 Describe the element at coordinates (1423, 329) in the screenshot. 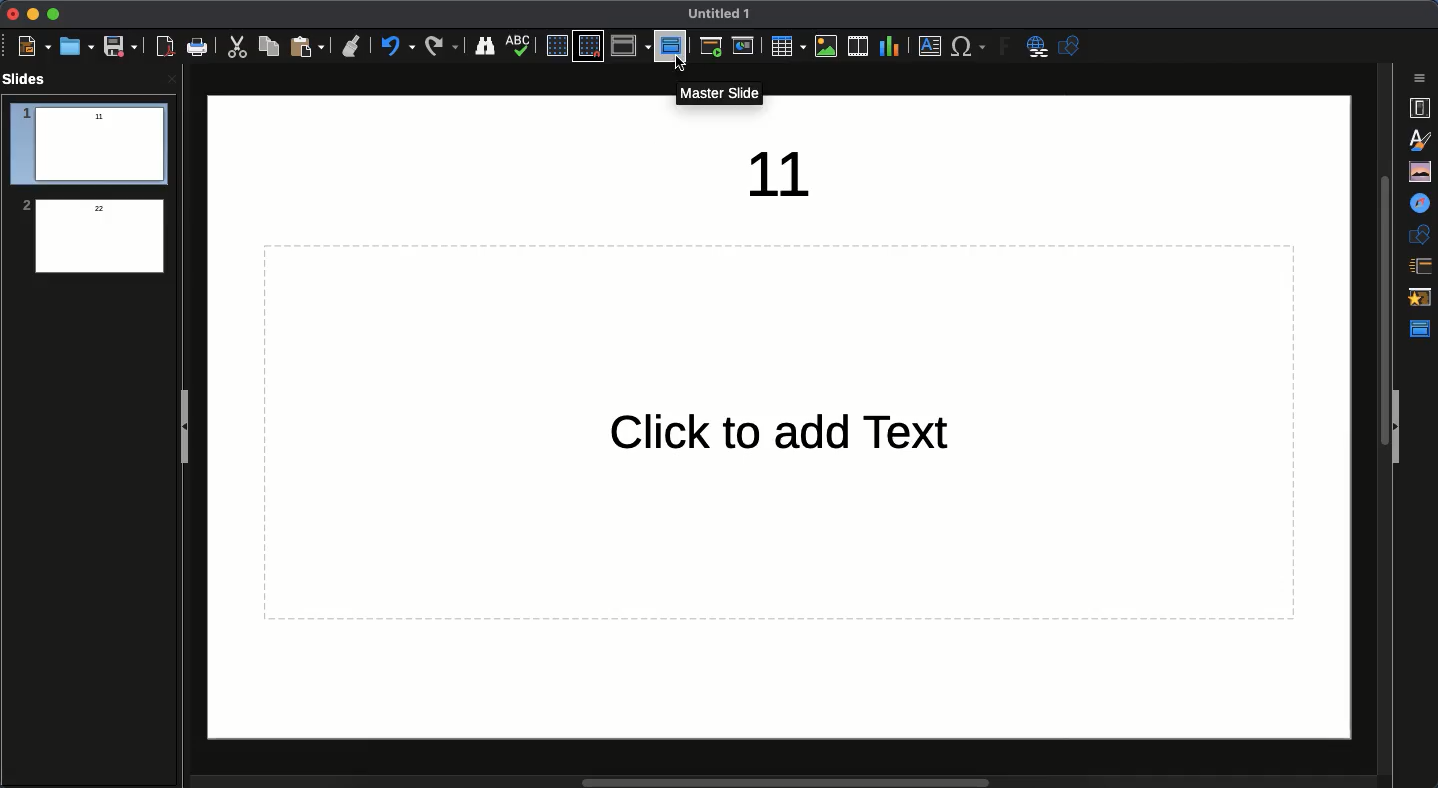

I see `Master slide` at that location.